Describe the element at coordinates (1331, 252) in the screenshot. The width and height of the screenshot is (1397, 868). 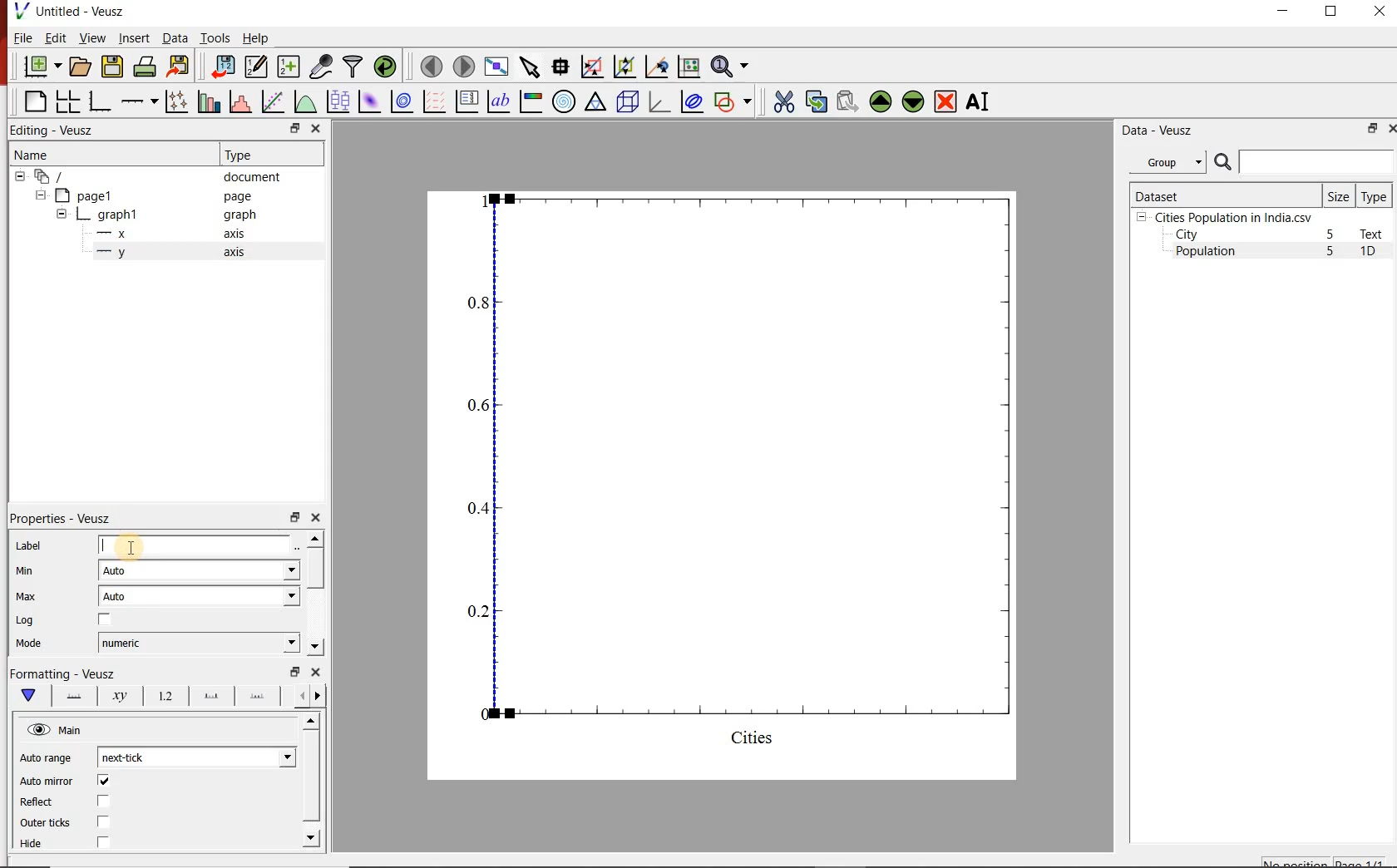
I see `5` at that location.